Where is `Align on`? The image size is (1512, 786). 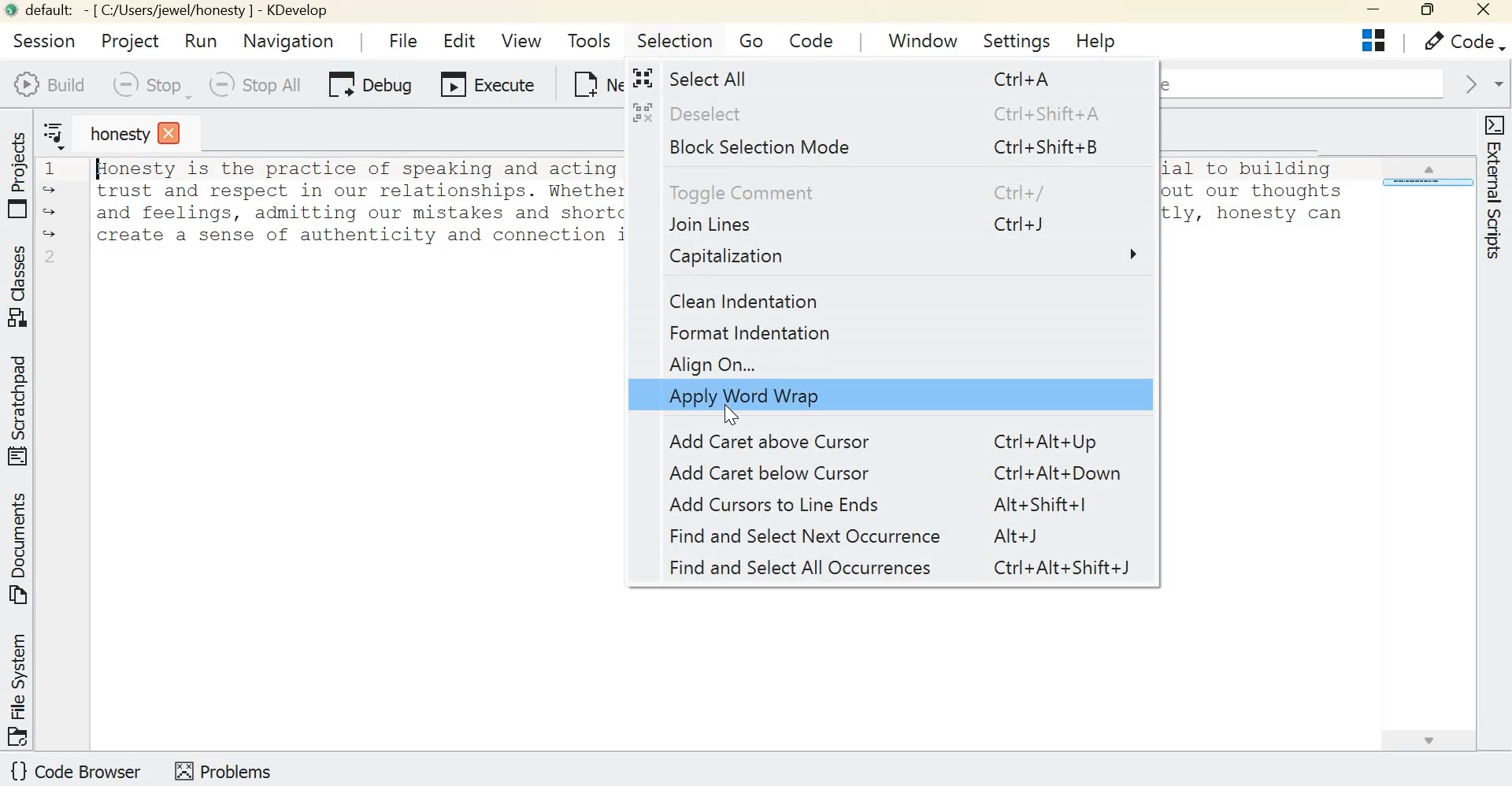
Align on is located at coordinates (716, 366).